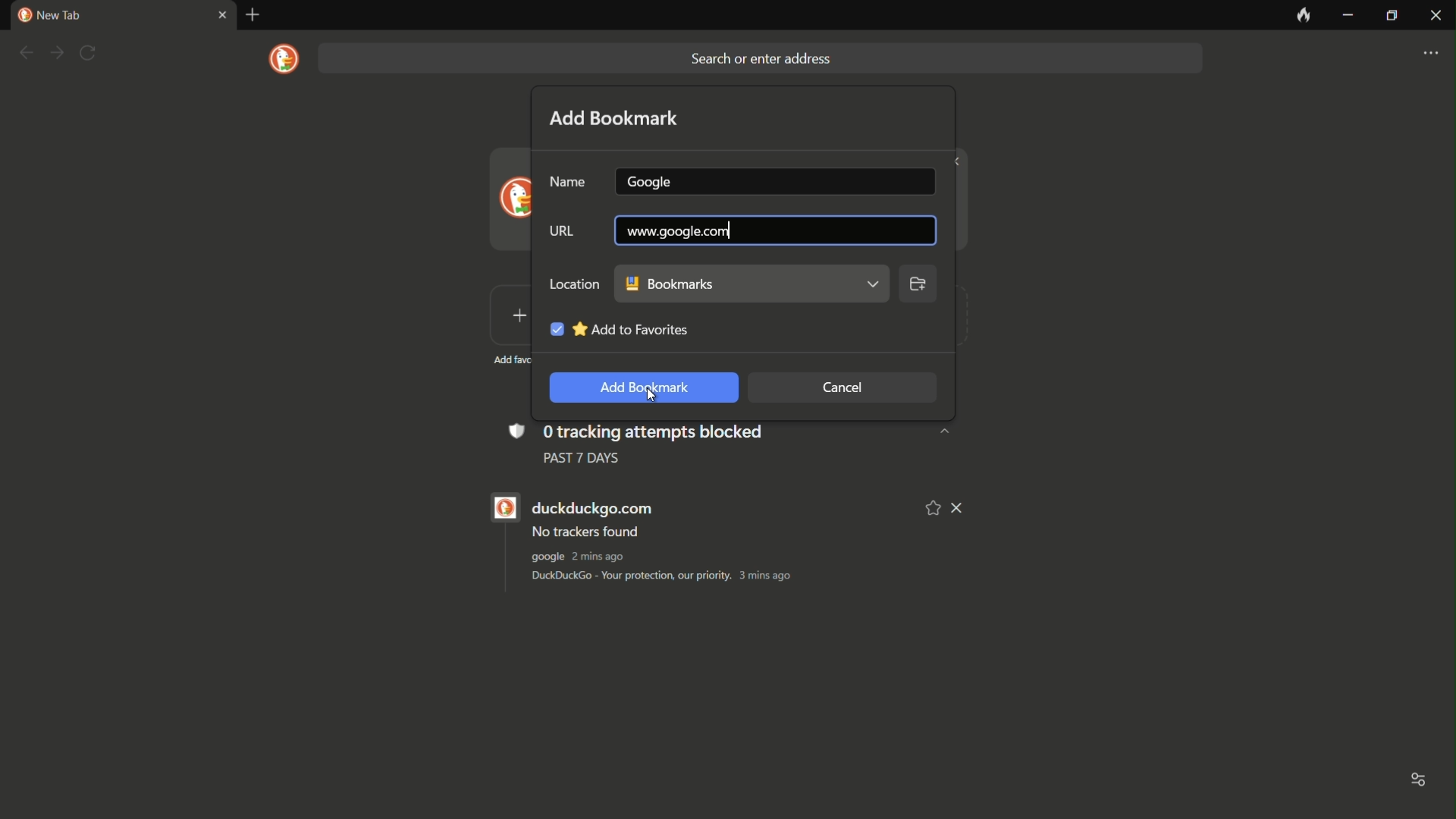 The width and height of the screenshot is (1456, 819). What do you see at coordinates (1348, 16) in the screenshot?
I see `minimize` at bounding box center [1348, 16].